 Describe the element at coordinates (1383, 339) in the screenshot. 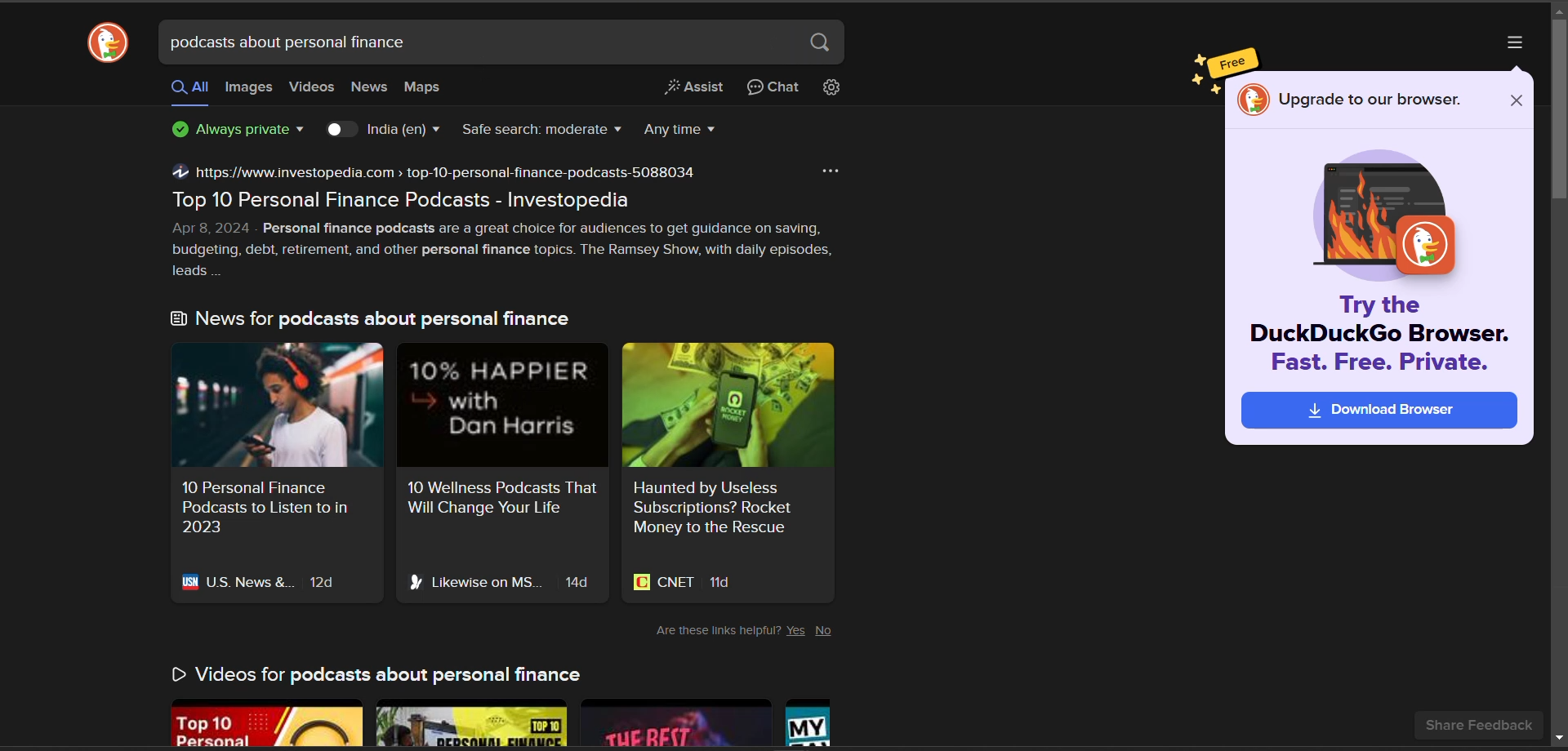

I see `Try the DuckDuckGo Browser. Fast. Free. Private` at that location.